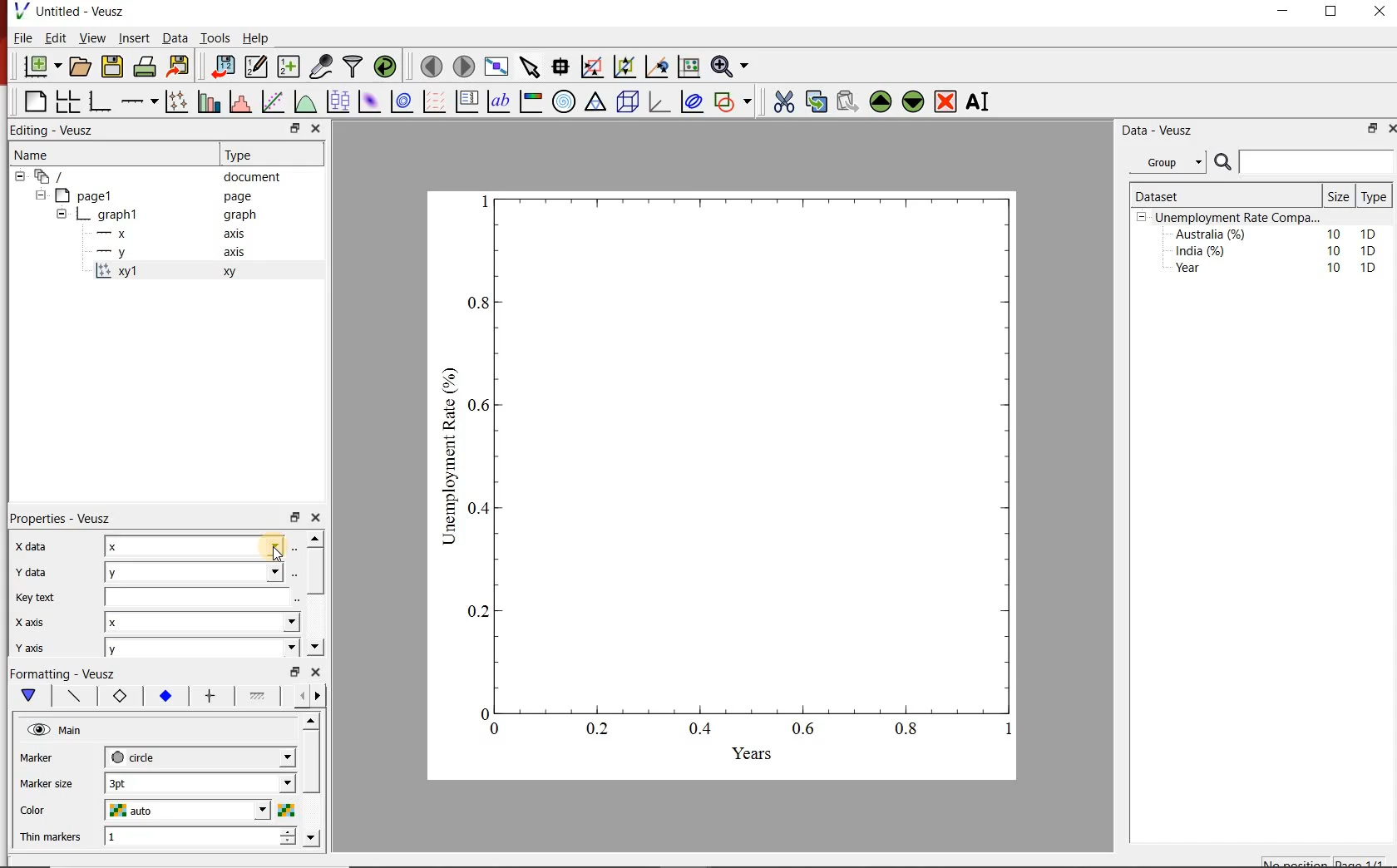 This screenshot has width=1397, height=868. I want to click on line 1, so click(258, 694).